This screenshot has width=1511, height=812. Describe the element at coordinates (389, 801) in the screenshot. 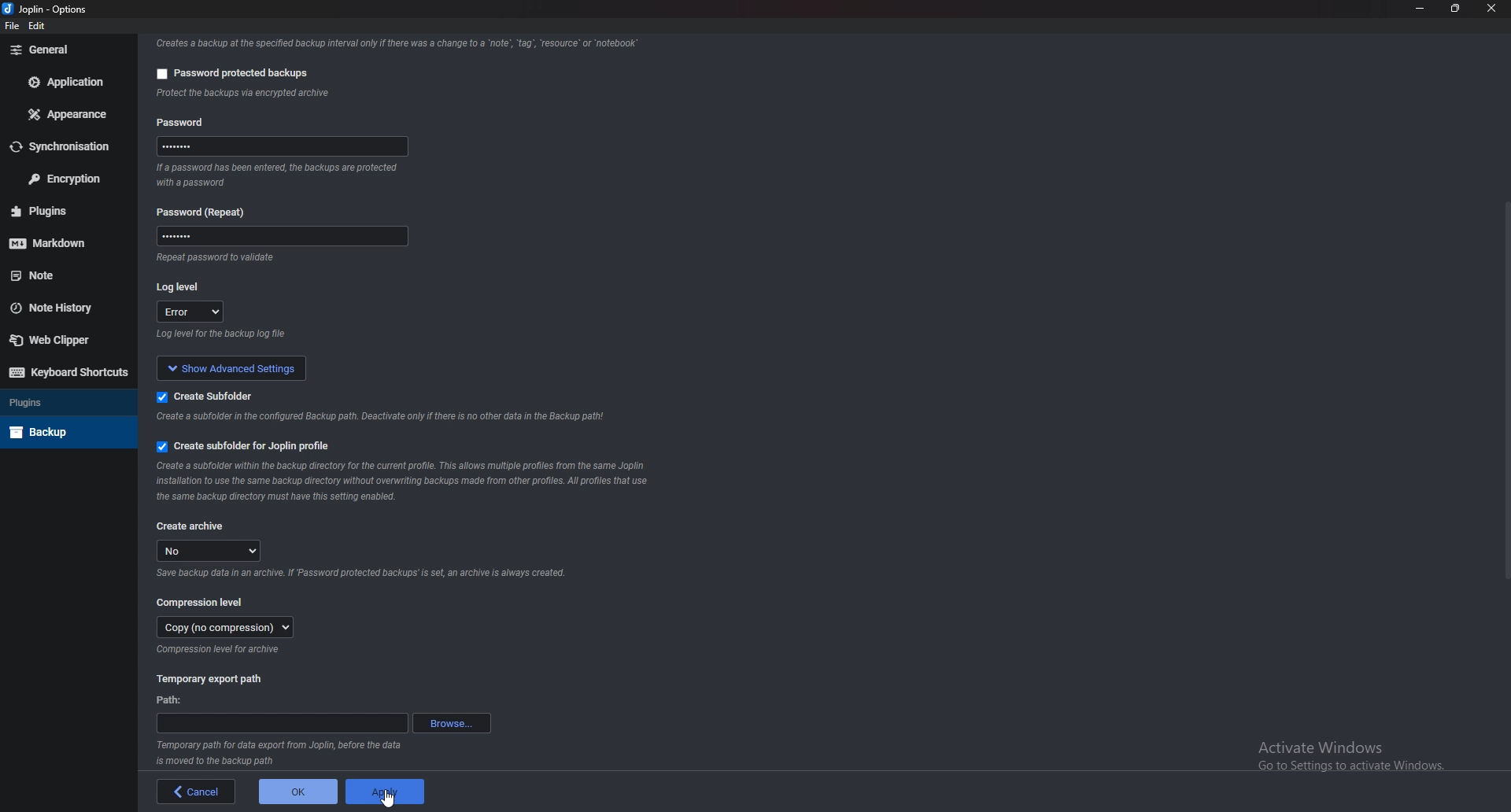

I see `Cursor` at that location.